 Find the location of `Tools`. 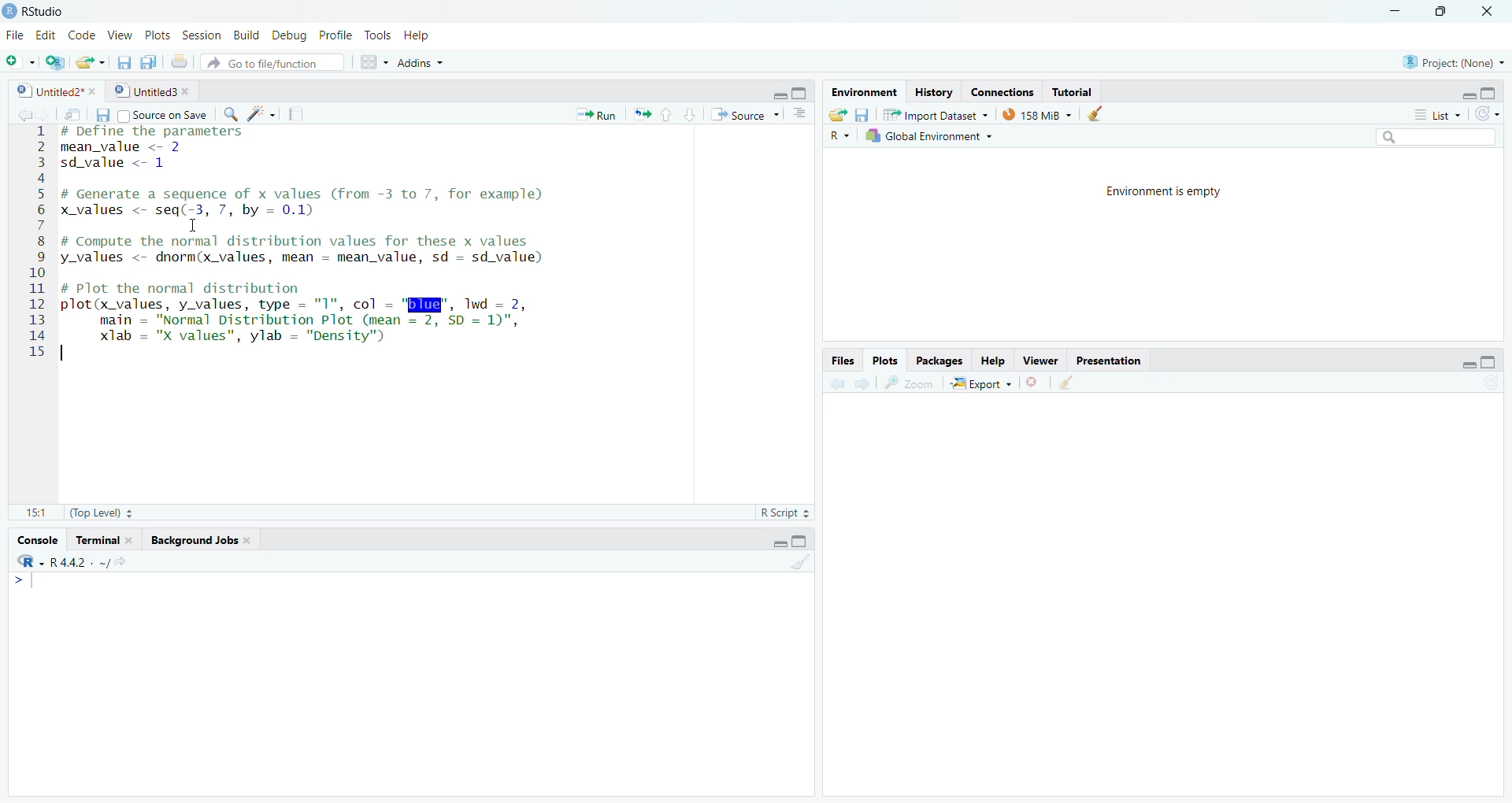

Tools is located at coordinates (379, 33).